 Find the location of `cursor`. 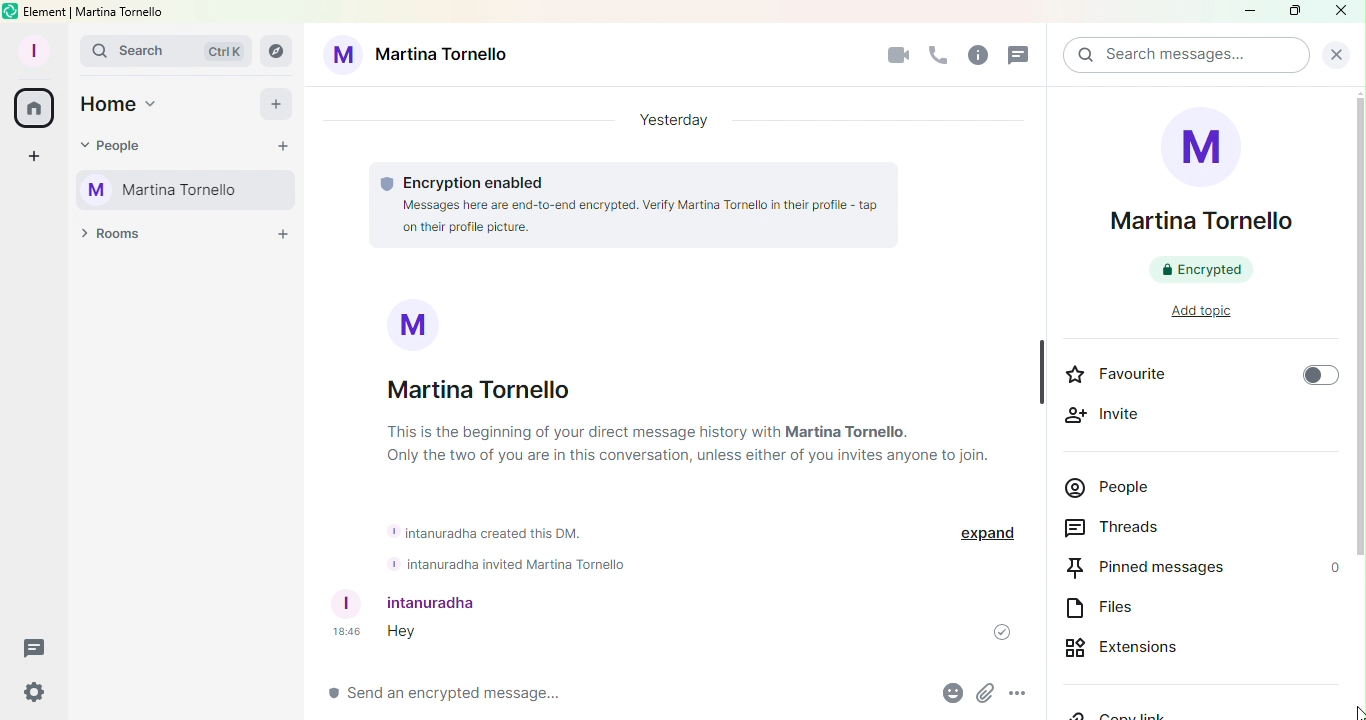

cursor is located at coordinates (1354, 710).